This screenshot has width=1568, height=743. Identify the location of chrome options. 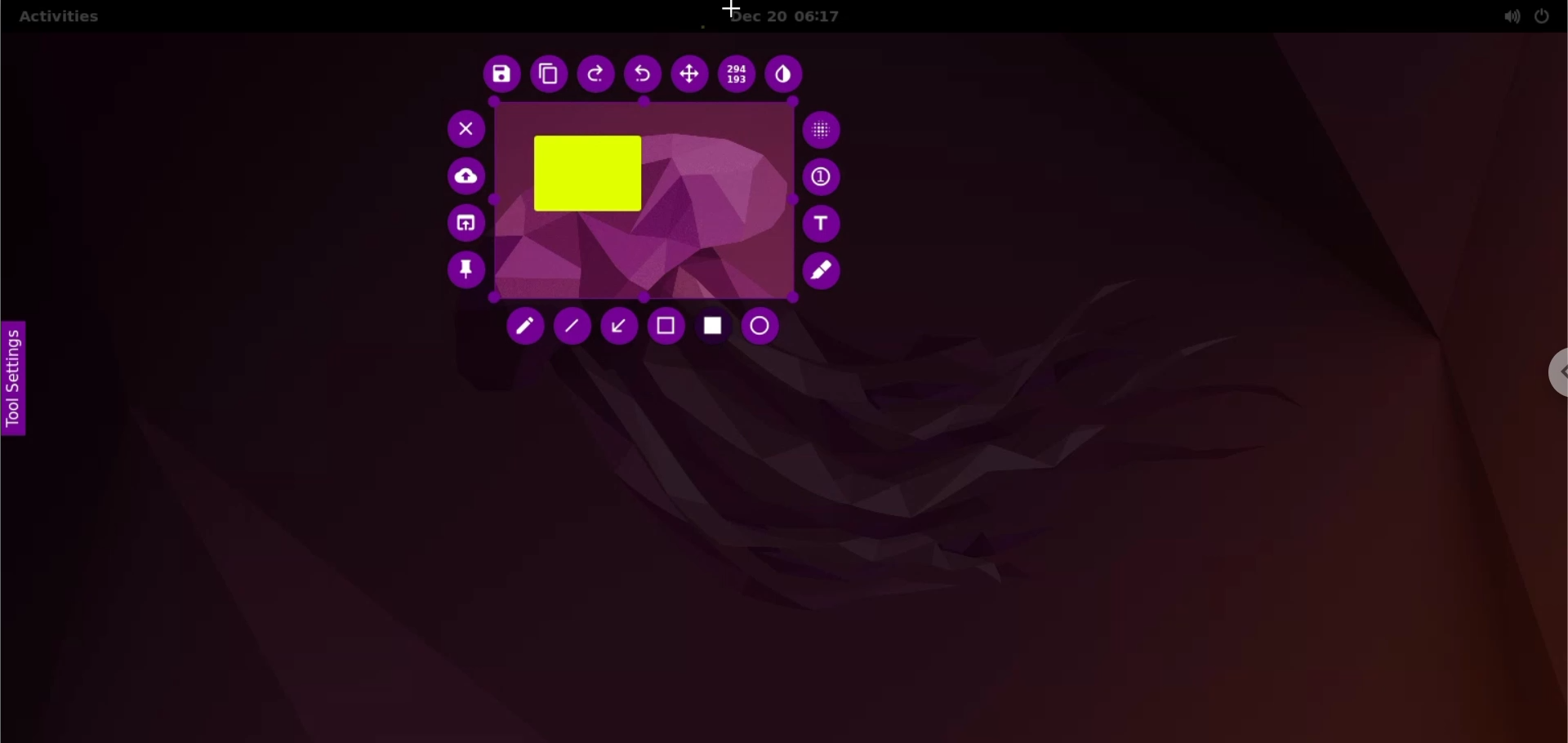
(1554, 372).